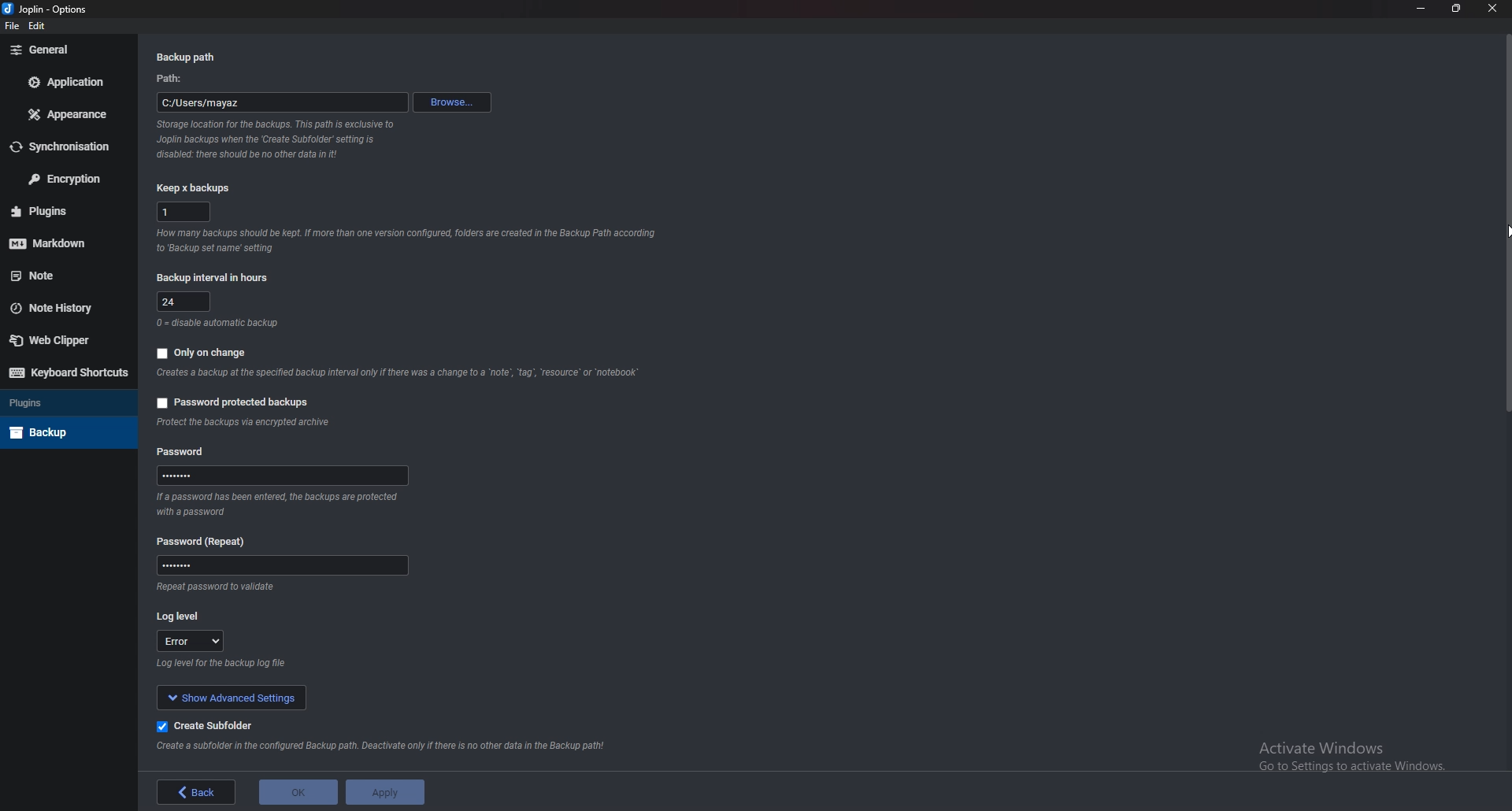 Image resolution: width=1512 pixels, height=811 pixels. I want to click on info, so click(406, 240).